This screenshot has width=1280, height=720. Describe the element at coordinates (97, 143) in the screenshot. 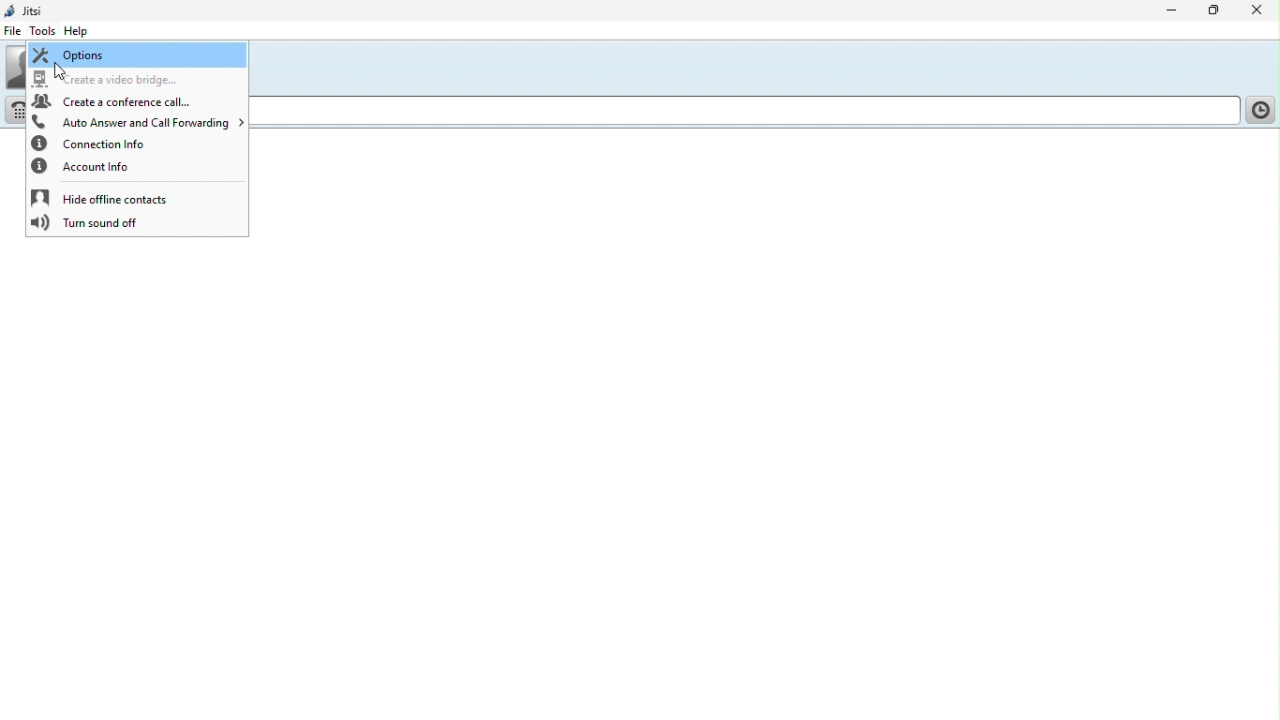

I see `Connection info` at that location.